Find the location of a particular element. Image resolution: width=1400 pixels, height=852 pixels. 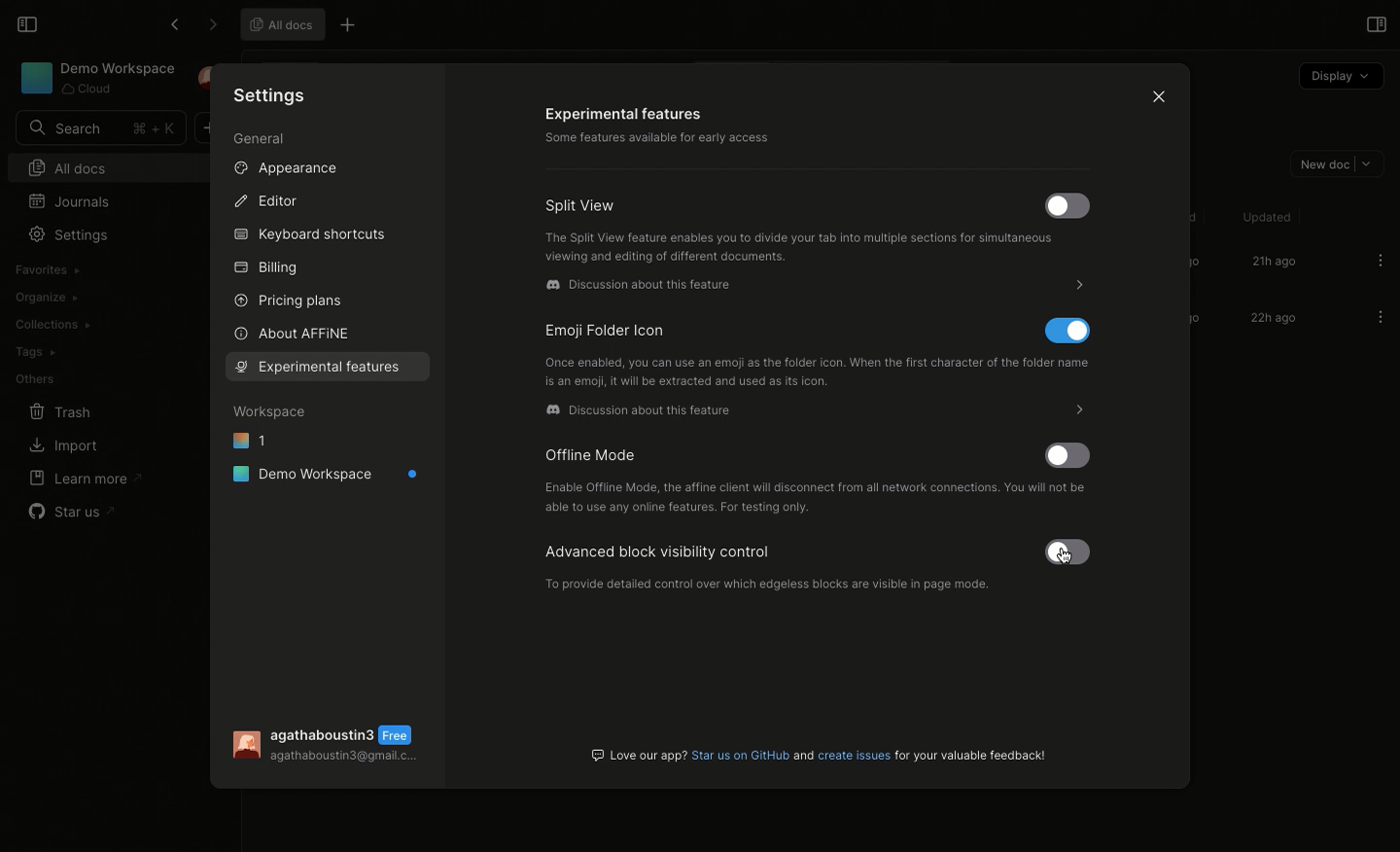

Selecting features is located at coordinates (327, 367).